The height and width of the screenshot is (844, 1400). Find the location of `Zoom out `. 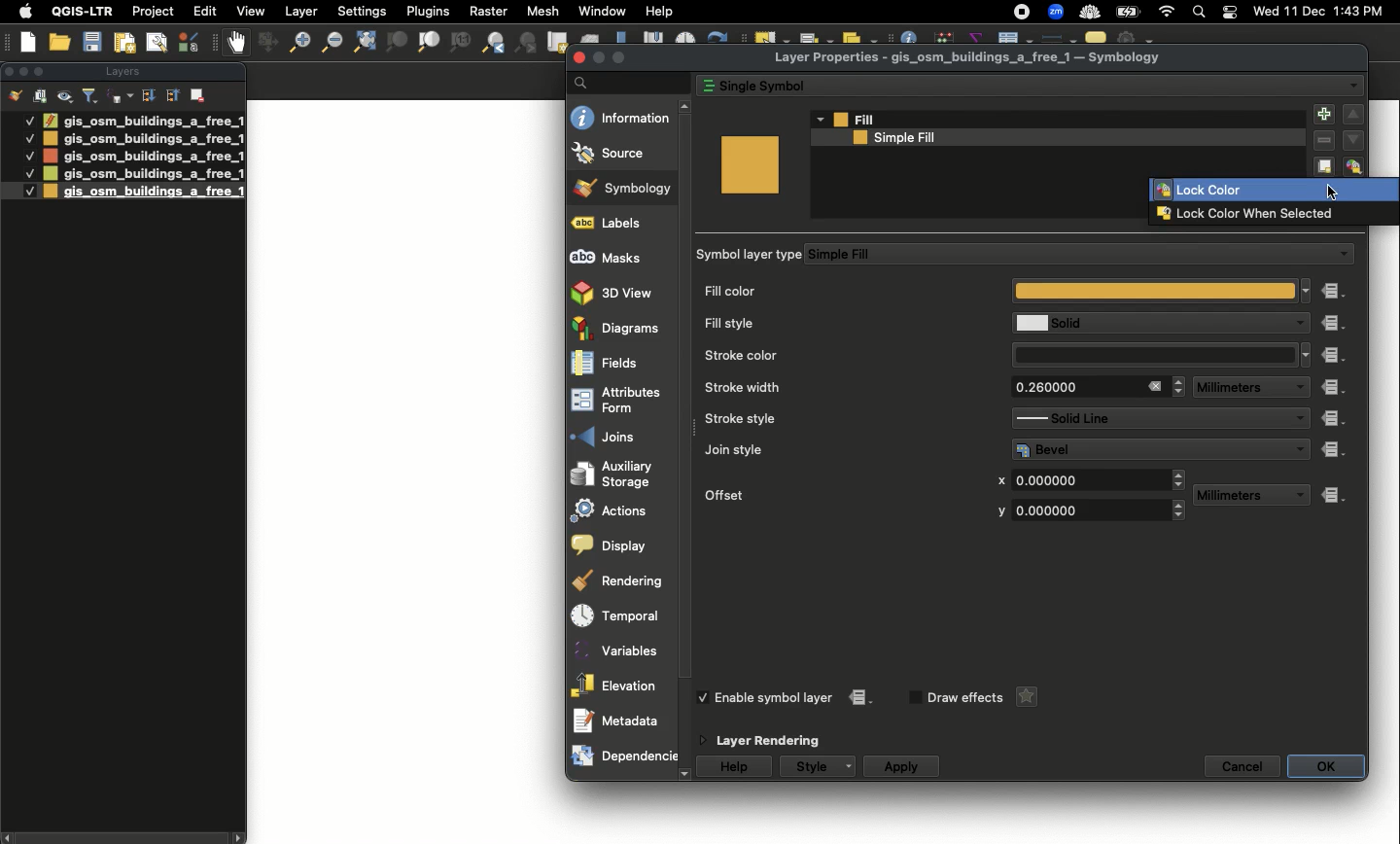

Zoom out  is located at coordinates (330, 42).